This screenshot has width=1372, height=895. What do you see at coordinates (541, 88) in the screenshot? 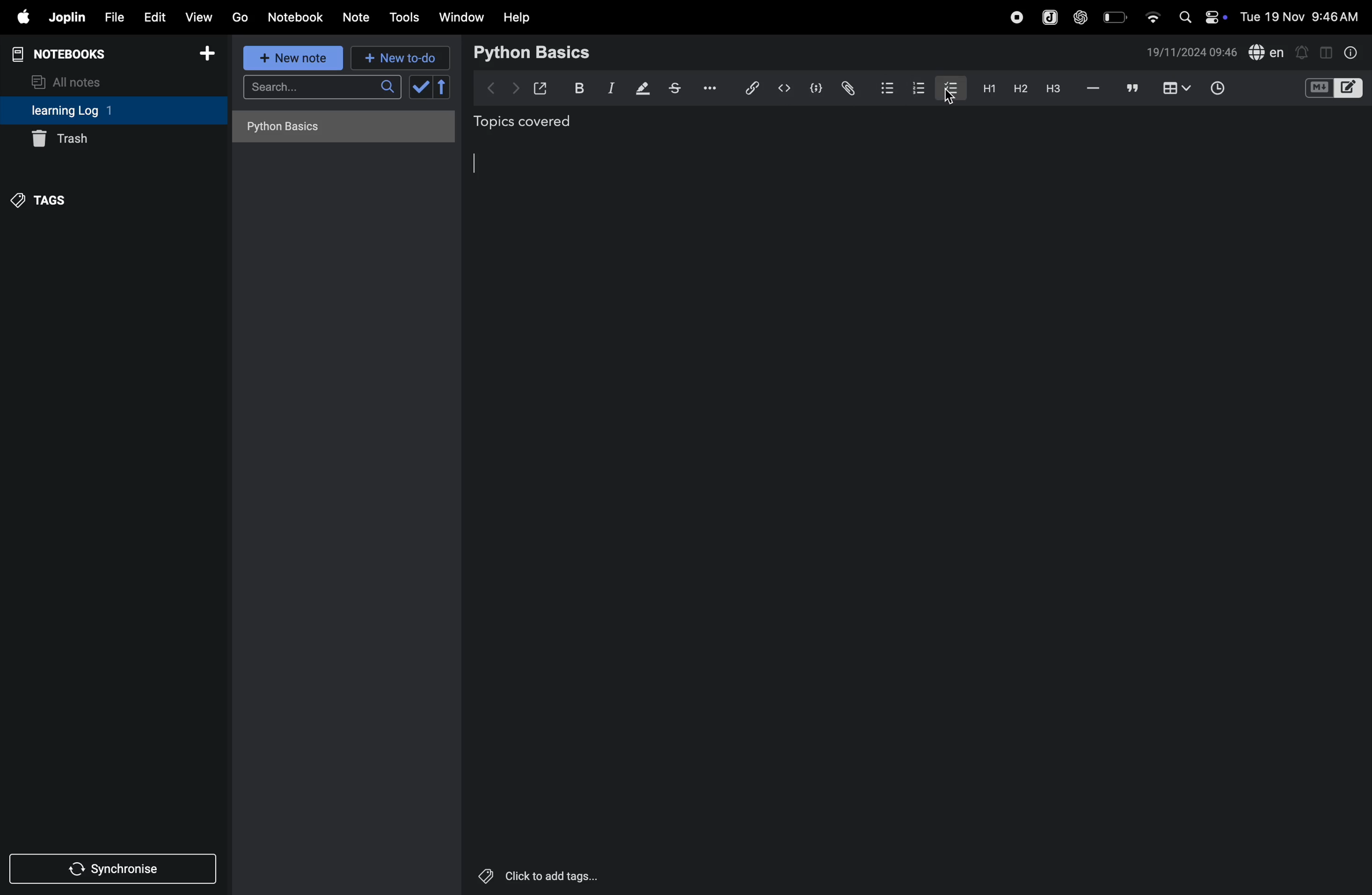
I see `open` at bounding box center [541, 88].